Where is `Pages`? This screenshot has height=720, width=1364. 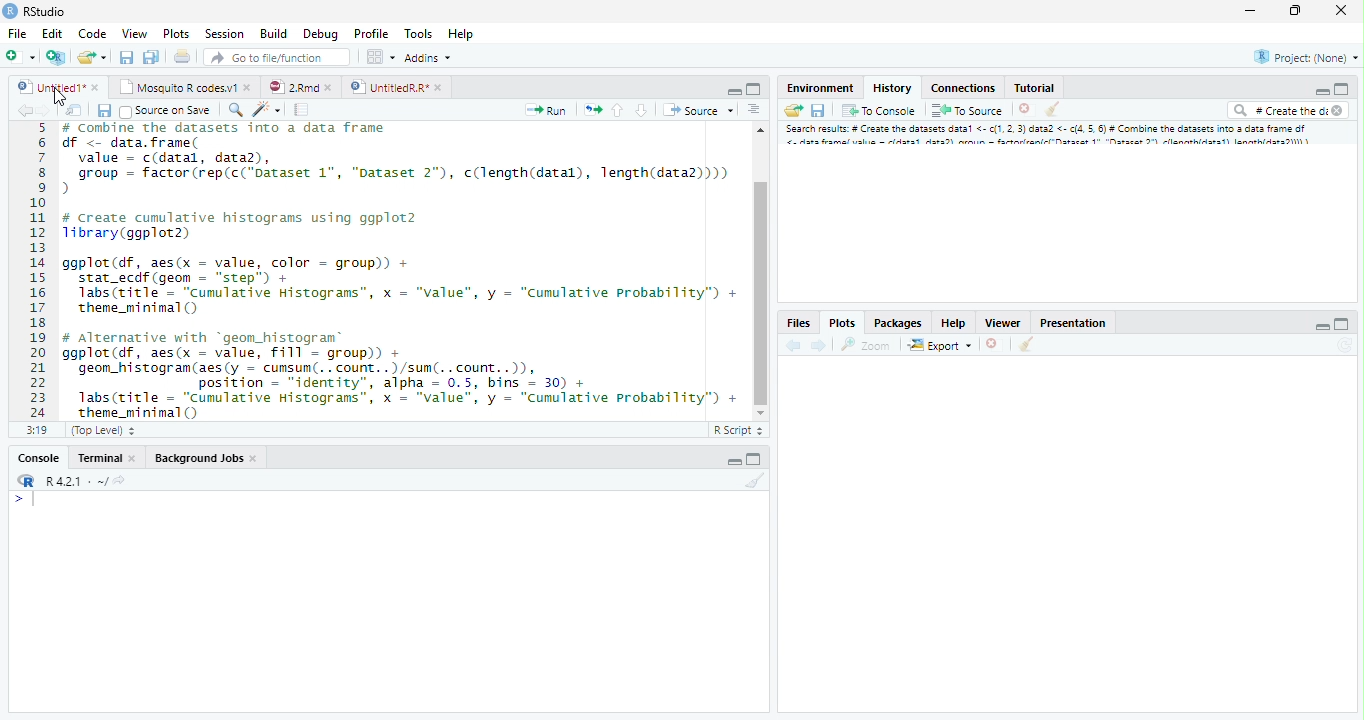
Pages is located at coordinates (593, 112).